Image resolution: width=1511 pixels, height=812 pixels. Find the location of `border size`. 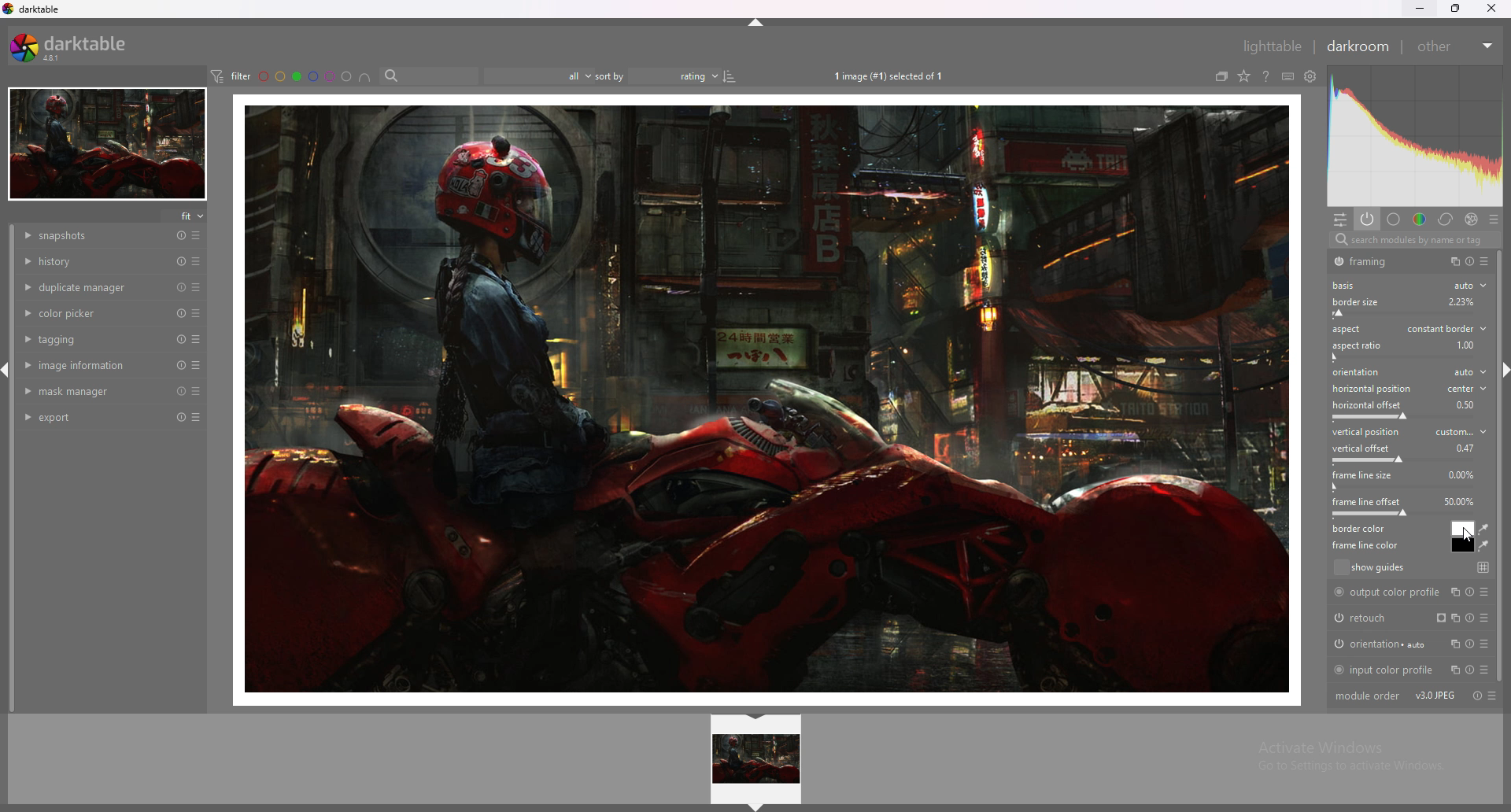

border size is located at coordinates (1378, 301).